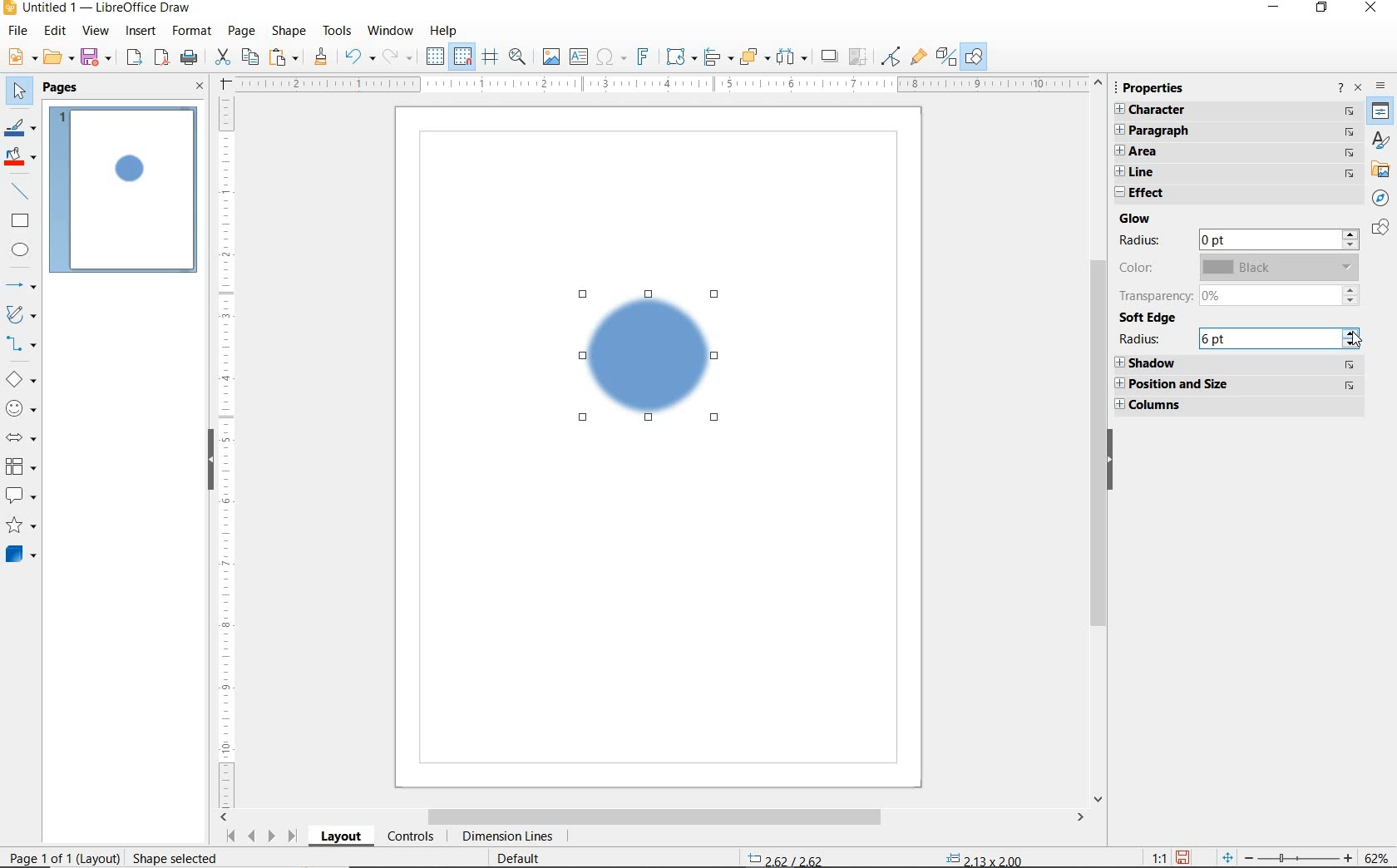 The height and width of the screenshot is (868, 1397). What do you see at coordinates (230, 839) in the screenshot?
I see `First page` at bounding box center [230, 839].